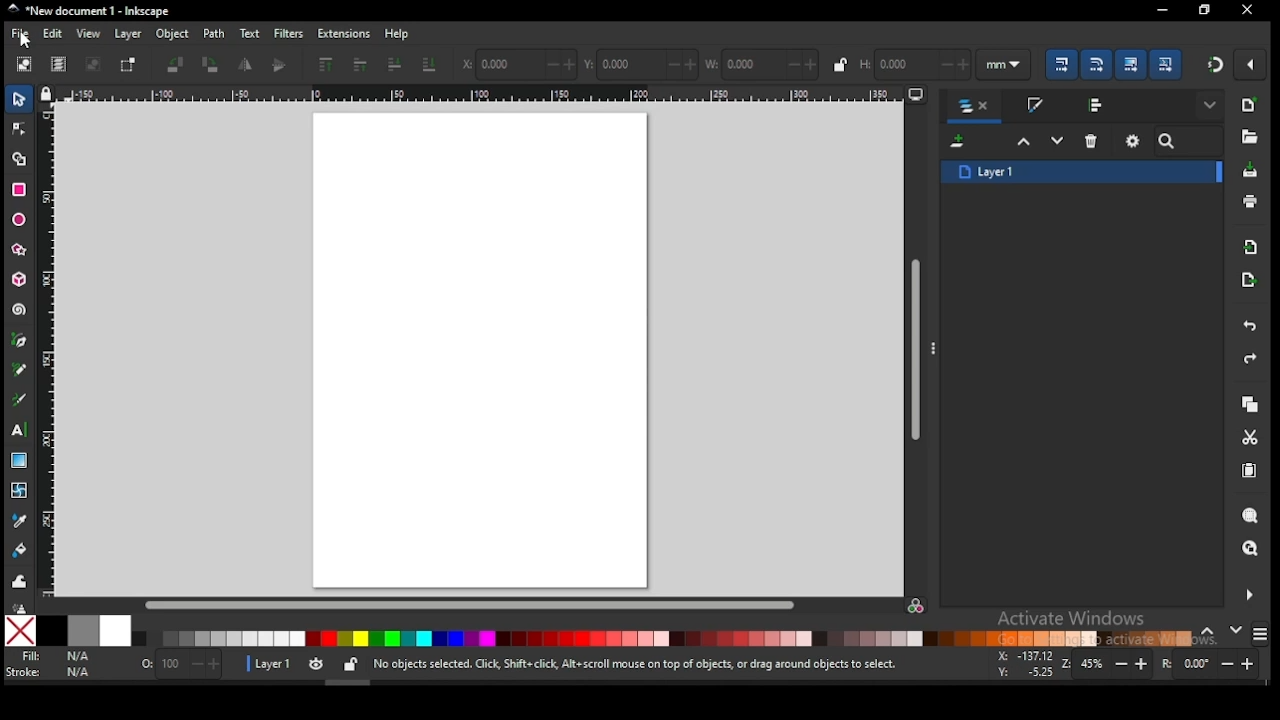 Image resolution: width=1280 pixels, height=720 pixels. What do you see at coordinates (431, 66) in the screenshot?
I see `lower to bottom` at bounding box center [431, 66].